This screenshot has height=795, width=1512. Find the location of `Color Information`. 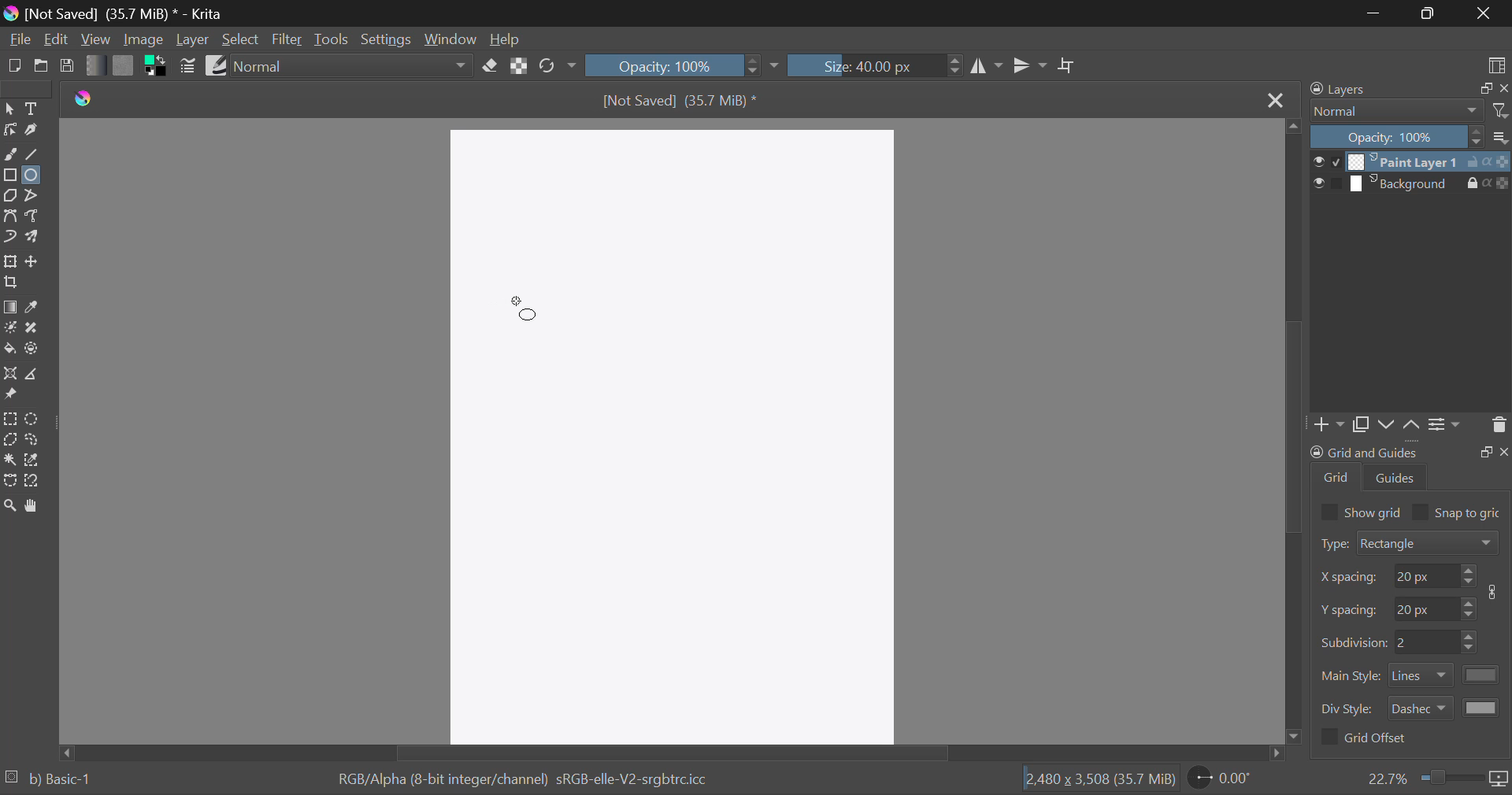

Color Information is located at coordinates (517, 781).